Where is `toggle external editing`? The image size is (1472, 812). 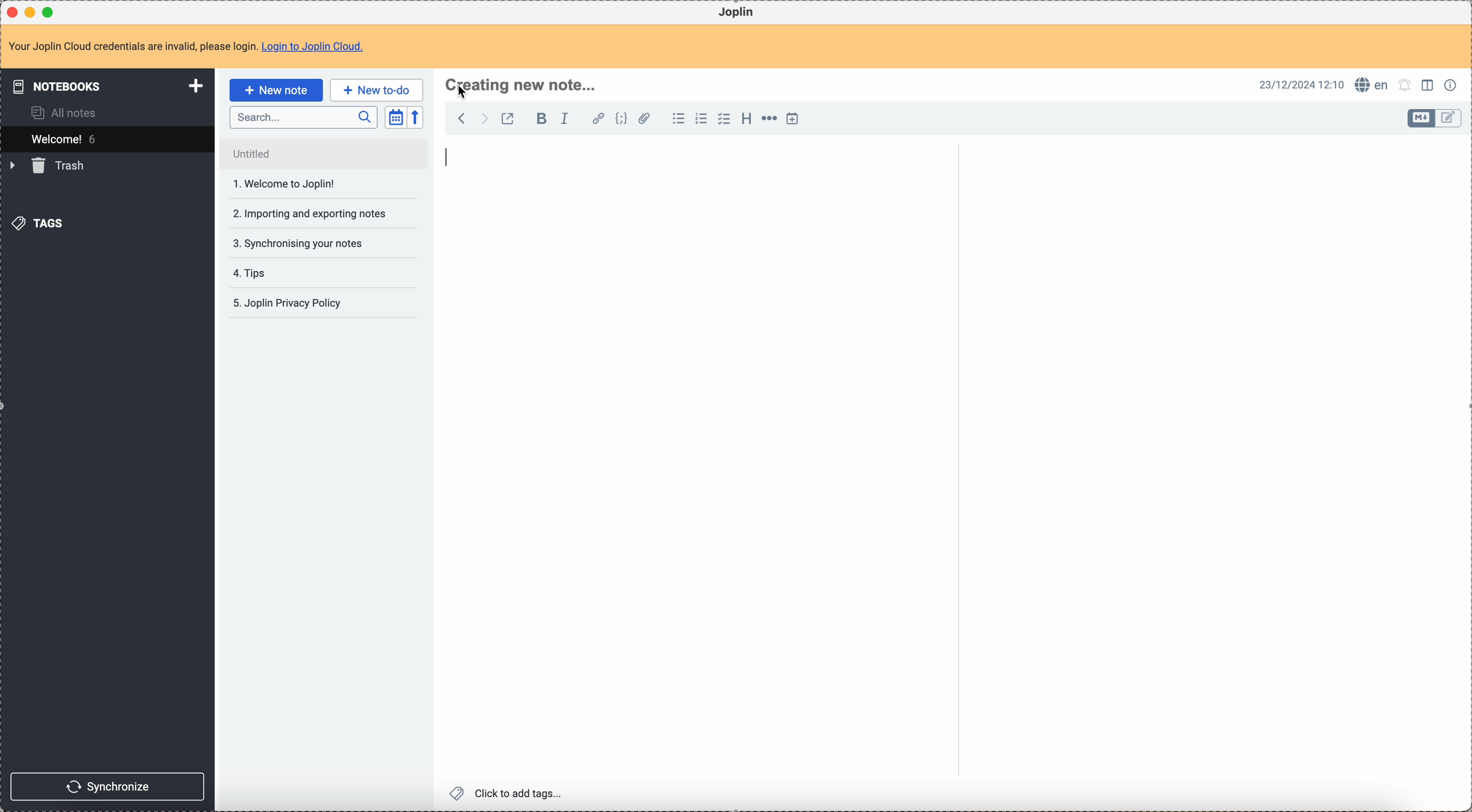 toggle external editing is located at coordinates (508, 118).